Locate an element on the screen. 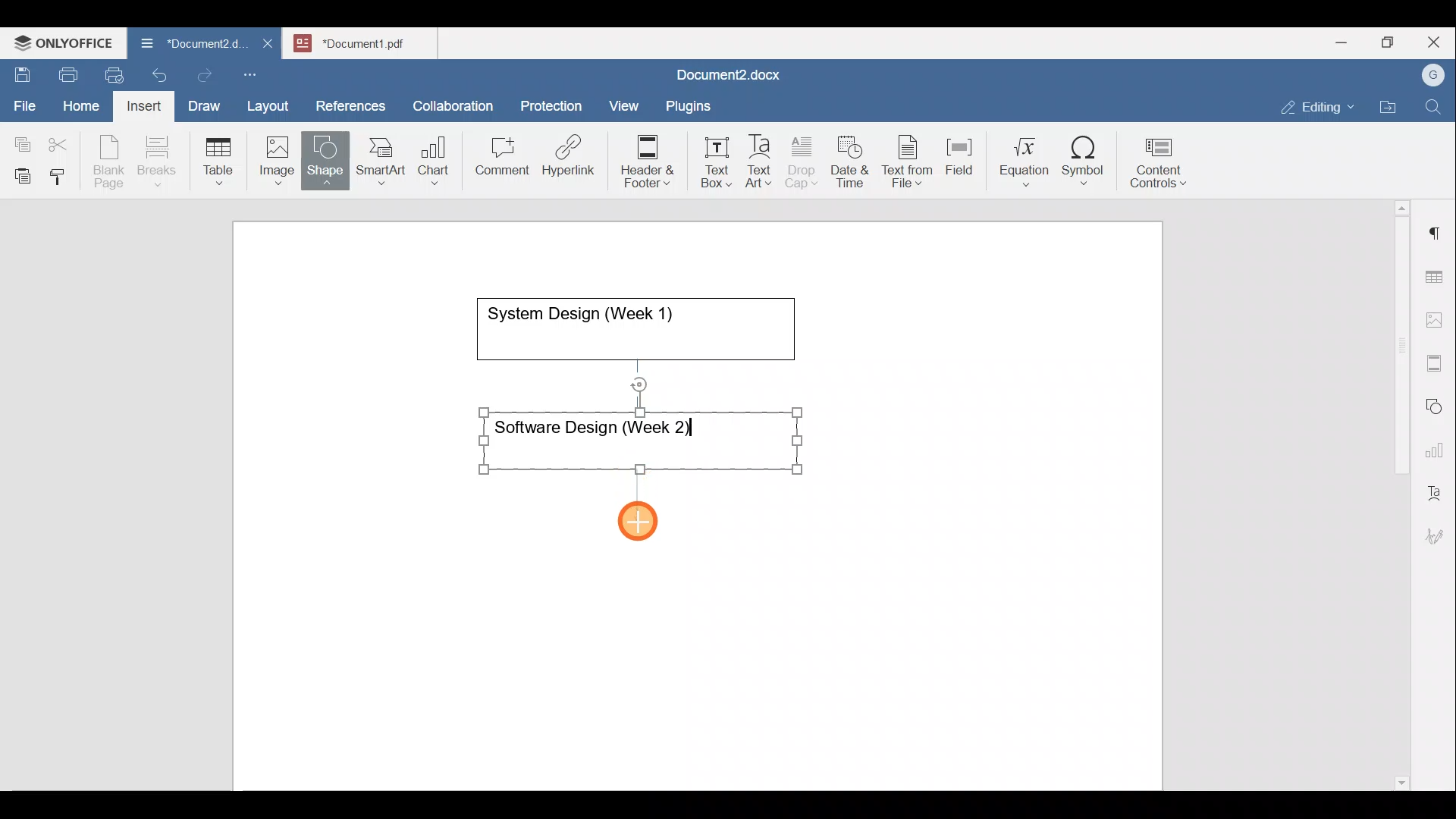  View is located at coordinates (625, 101).